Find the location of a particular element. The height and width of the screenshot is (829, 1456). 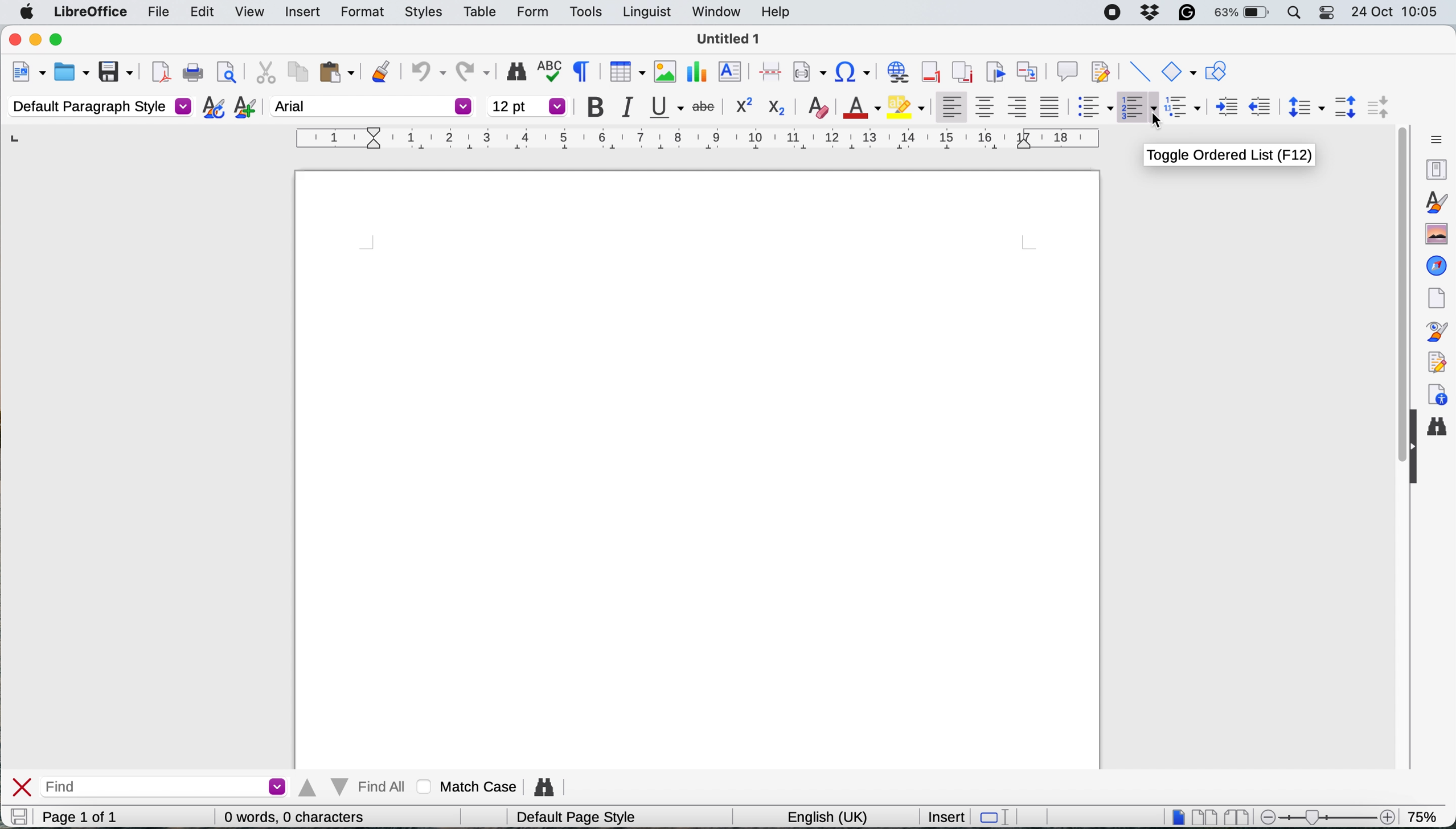

inesrt chart is located at coordinates (698, 72).